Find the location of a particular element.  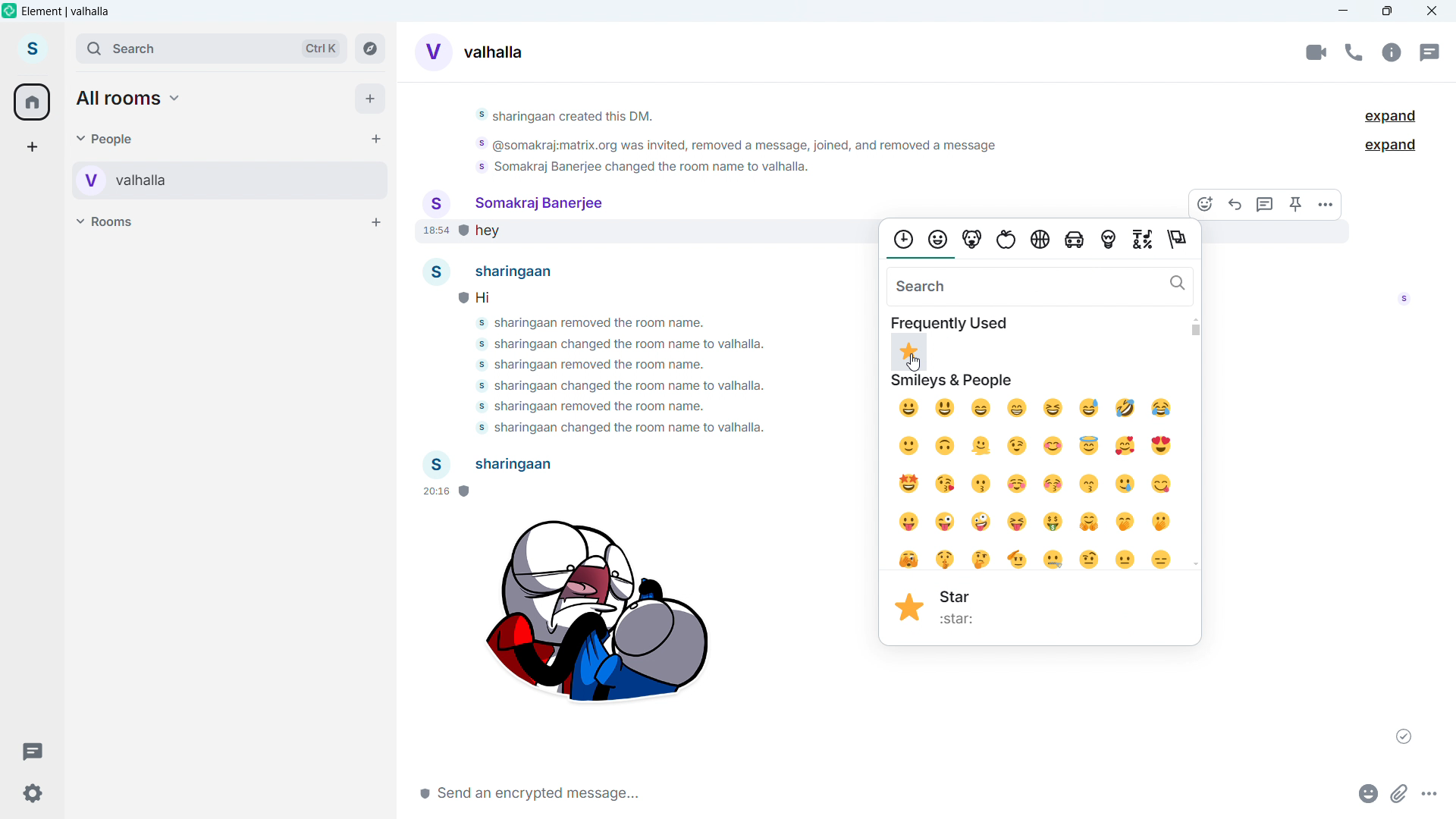

smiling face with halo is located at coordinates (1094, 446).